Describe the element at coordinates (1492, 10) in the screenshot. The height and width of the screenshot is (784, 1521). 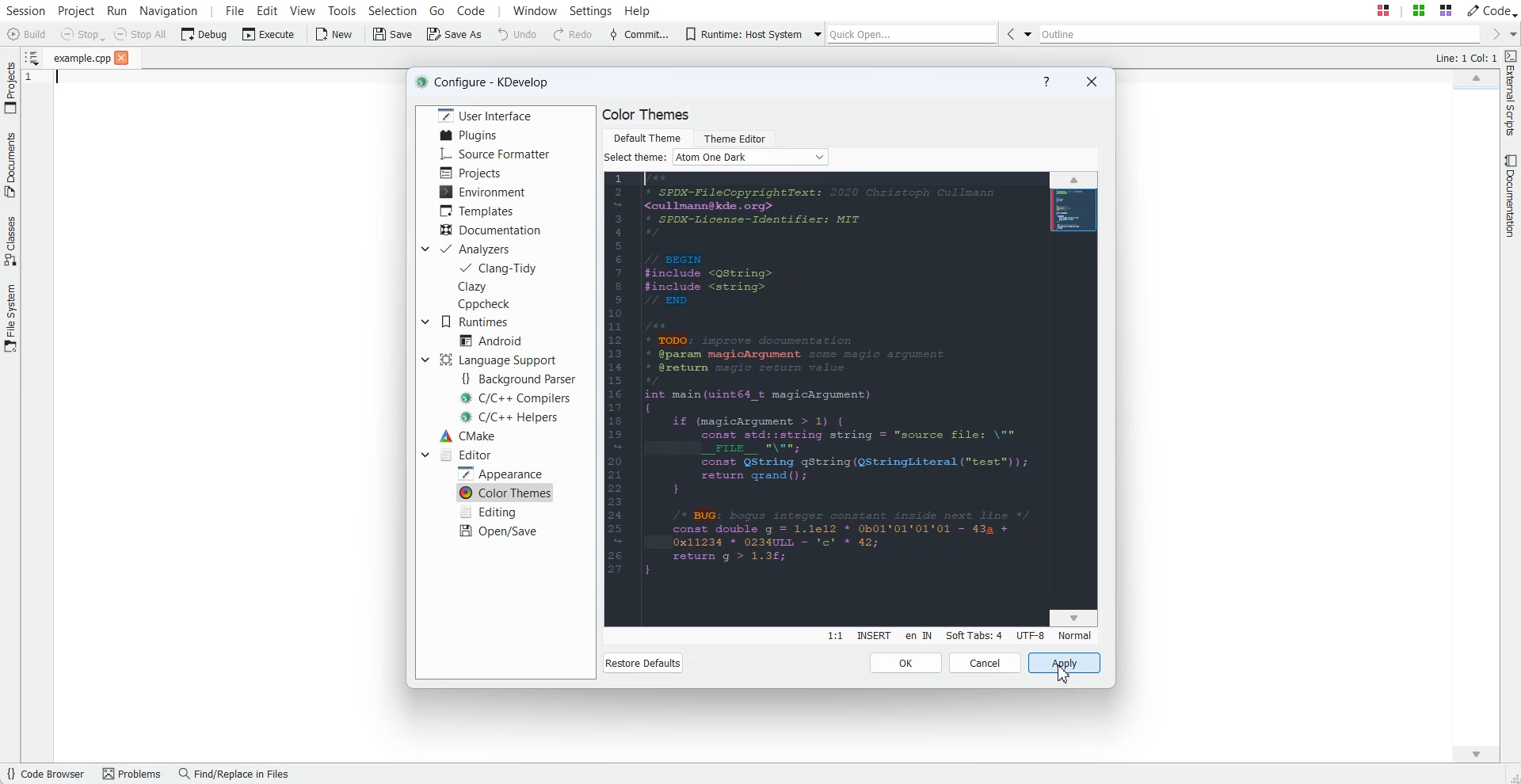
I see `Code` at that location.